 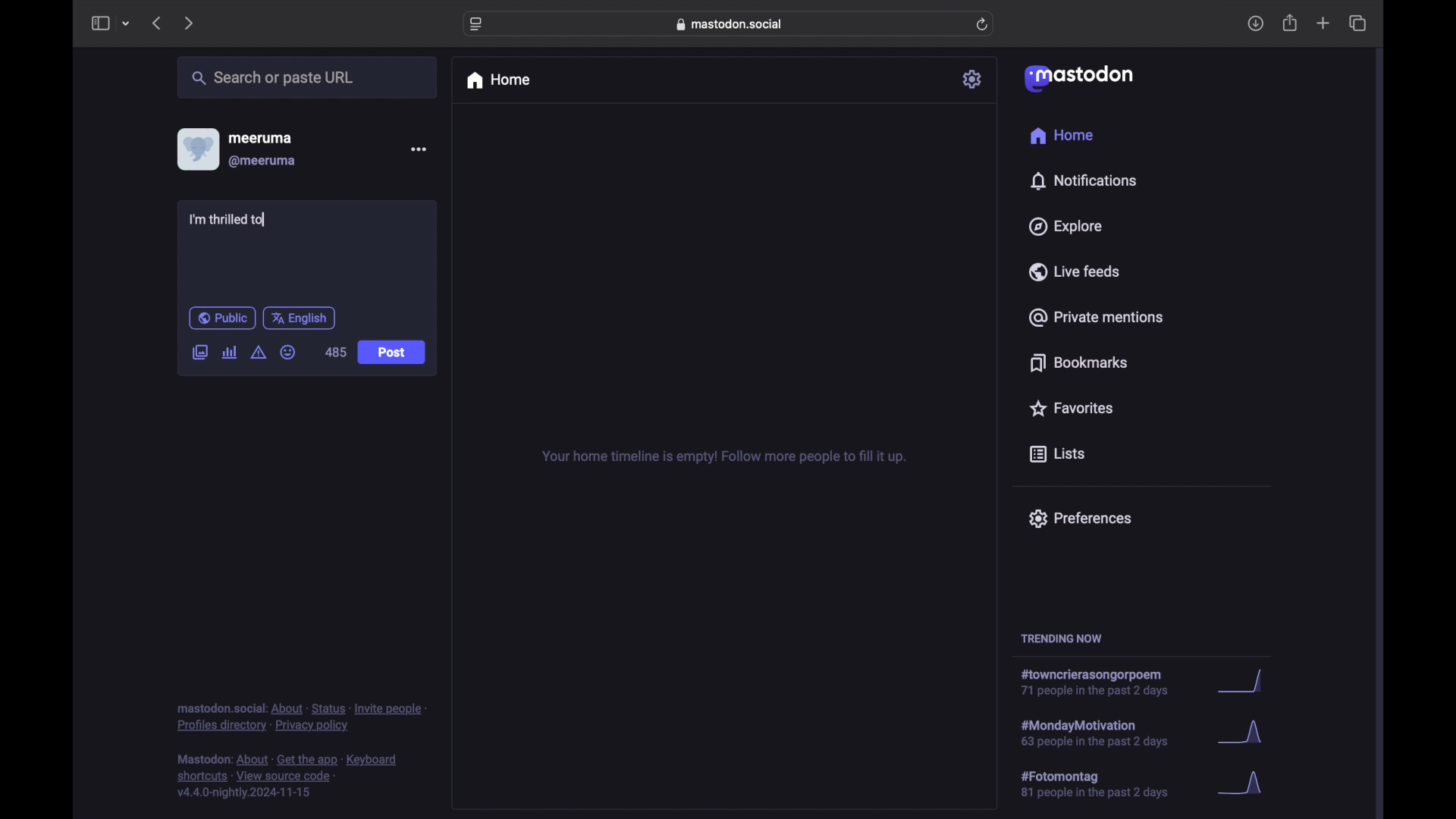 What do you see at coordinates (127, 23) in the screenshot?
I see `tab group picker` at bounding box center [127, 23].